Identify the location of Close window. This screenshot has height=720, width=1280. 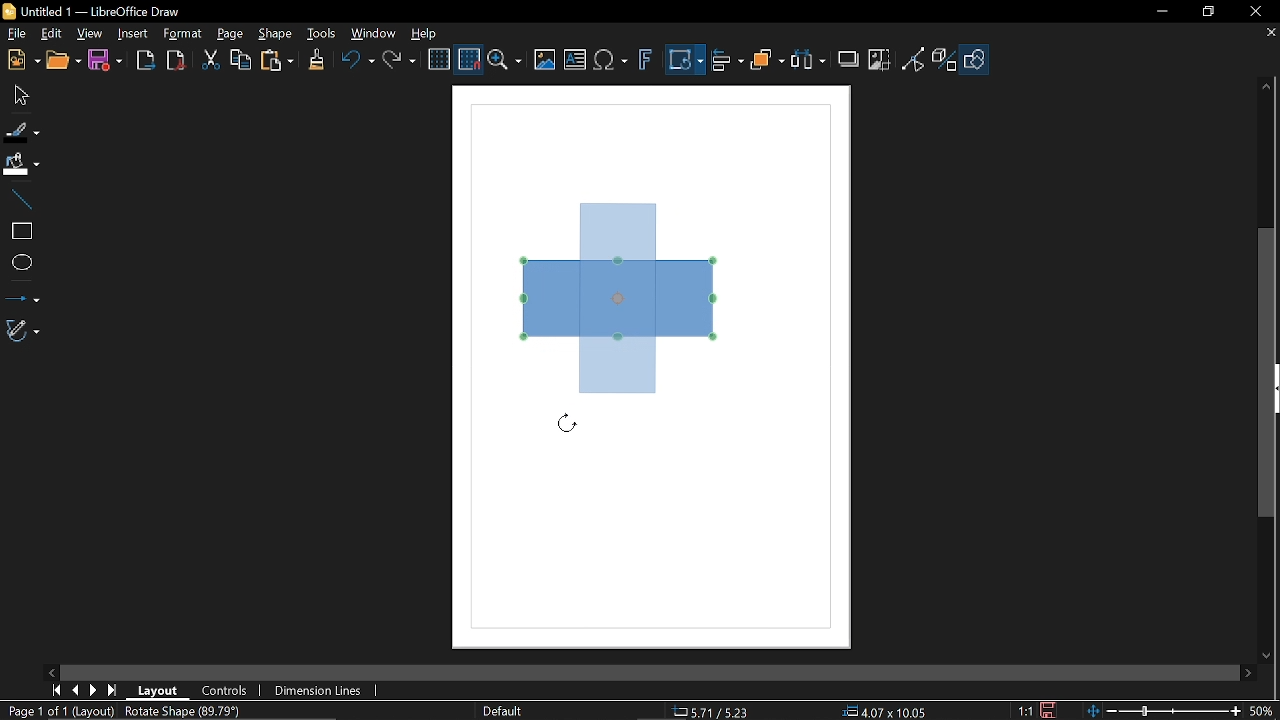
(1254, 11).